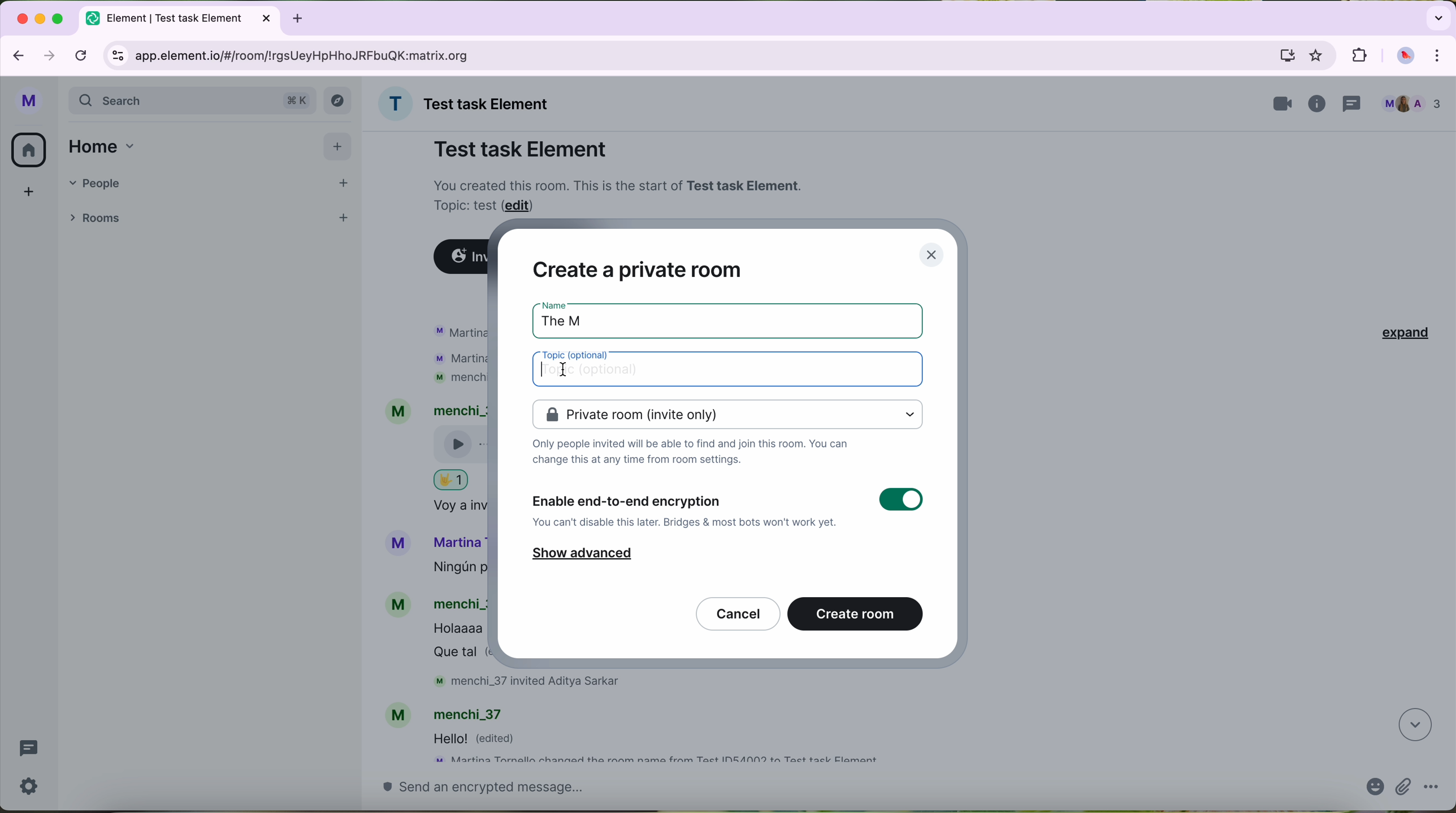 This screenshot has height=813, width=1456. I want to click on attach file, so click(1404, 788).